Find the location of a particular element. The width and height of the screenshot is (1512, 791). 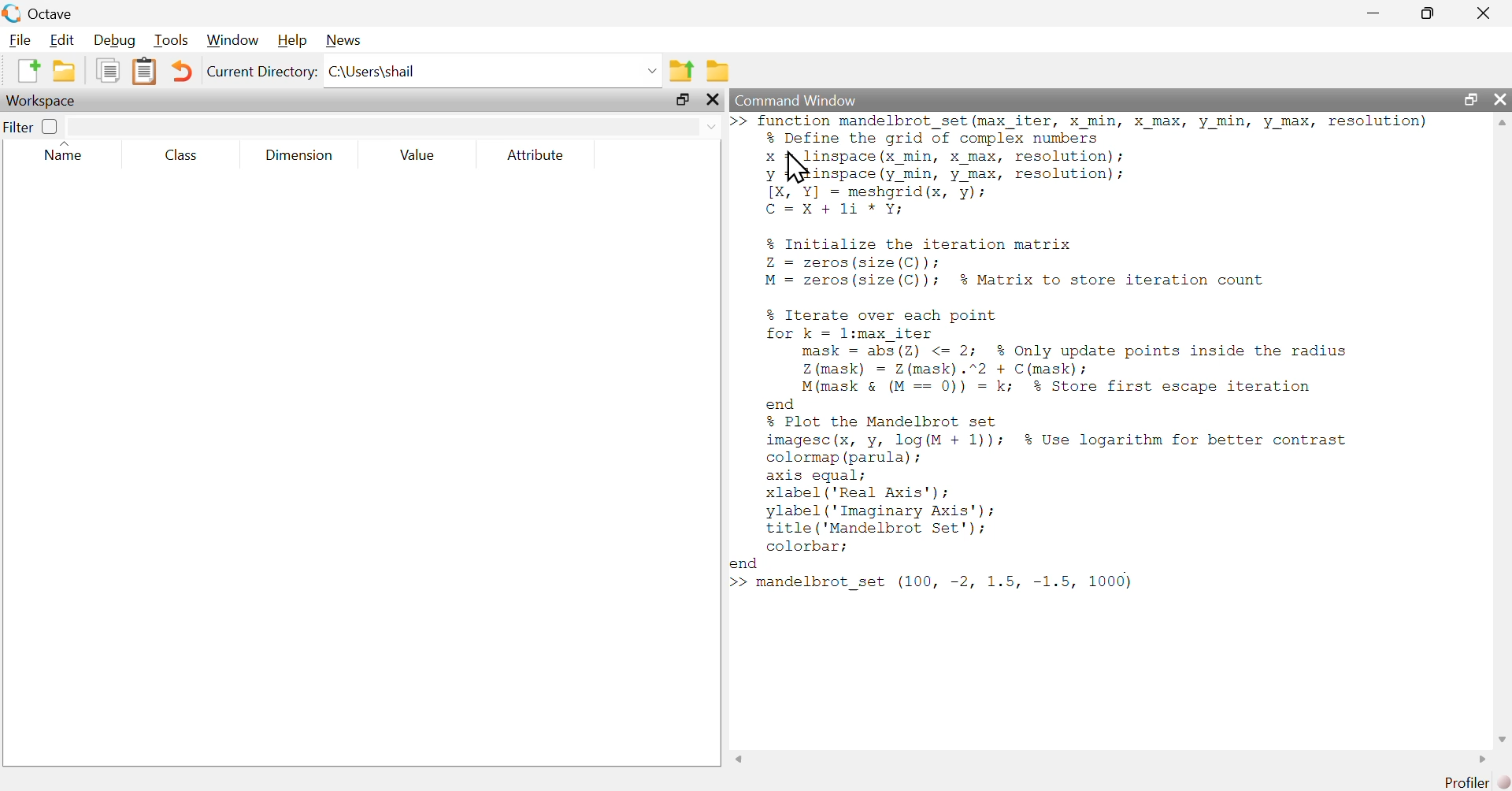

Command Window is located at coordinates (1060, 100).